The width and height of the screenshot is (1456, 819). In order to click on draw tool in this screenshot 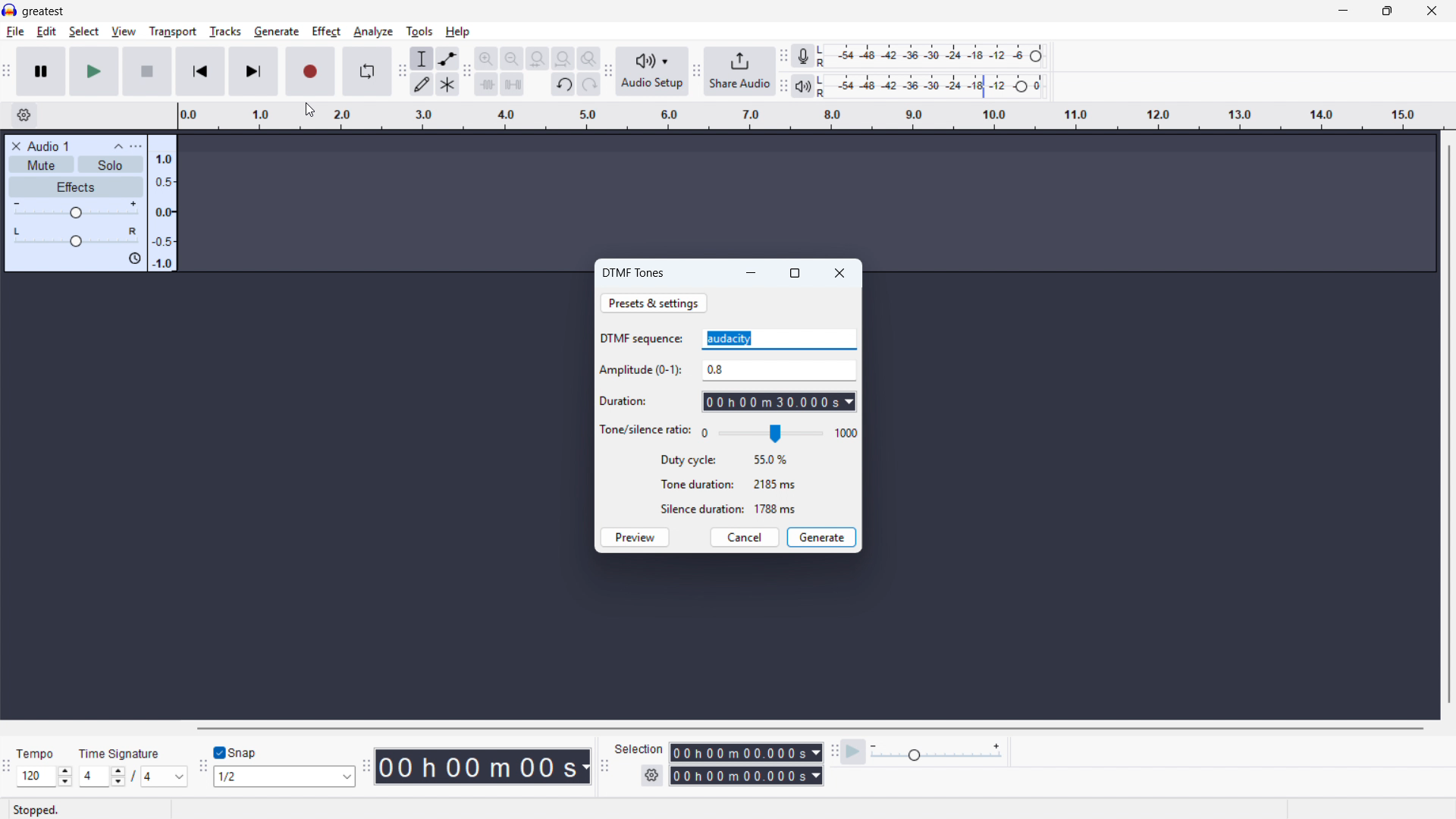, I will do `click(422, 83)`.